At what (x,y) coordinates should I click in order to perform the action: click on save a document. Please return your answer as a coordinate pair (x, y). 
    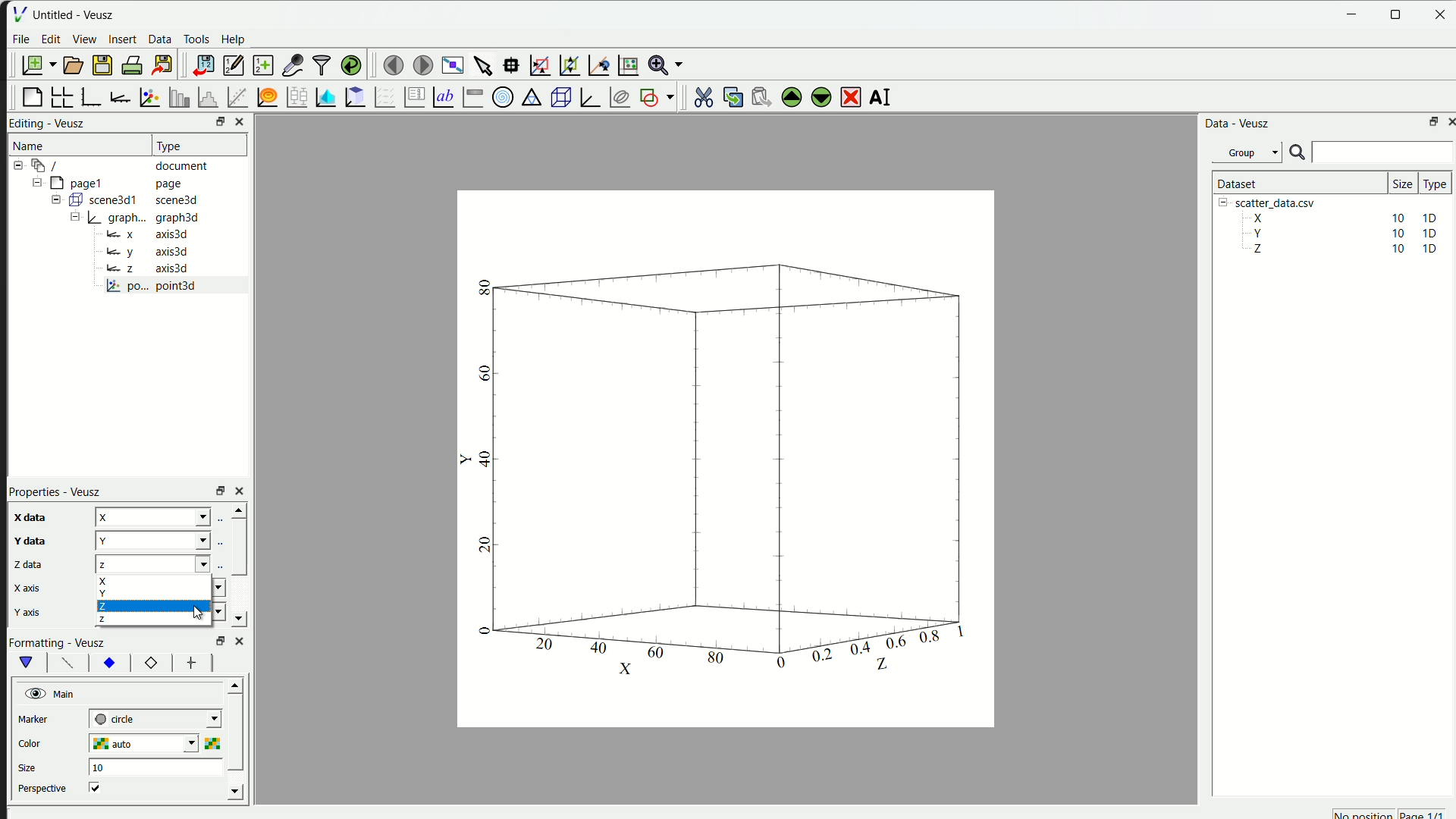
    Looking at the image, I should click on (100, 66).